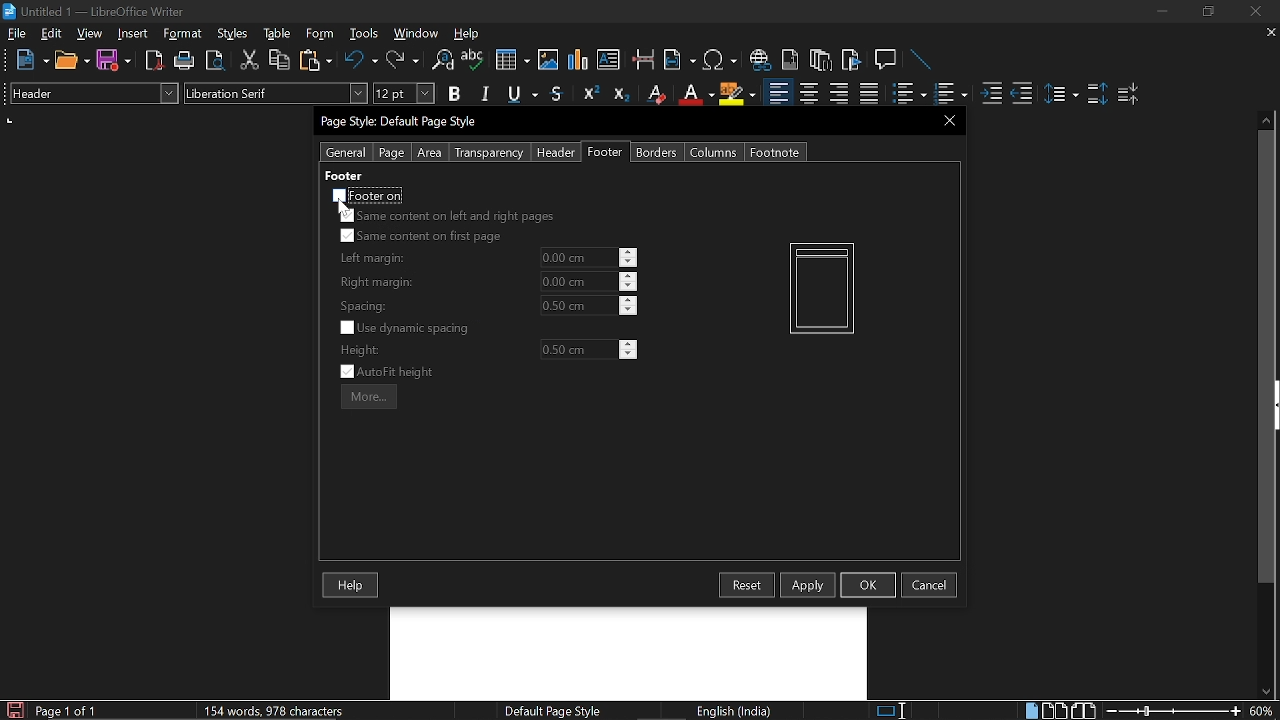 This screenshot has width=1280, height=720. Describe the element at coordinates (1086, 710) in the screenshot. I see `Book view` at that location.